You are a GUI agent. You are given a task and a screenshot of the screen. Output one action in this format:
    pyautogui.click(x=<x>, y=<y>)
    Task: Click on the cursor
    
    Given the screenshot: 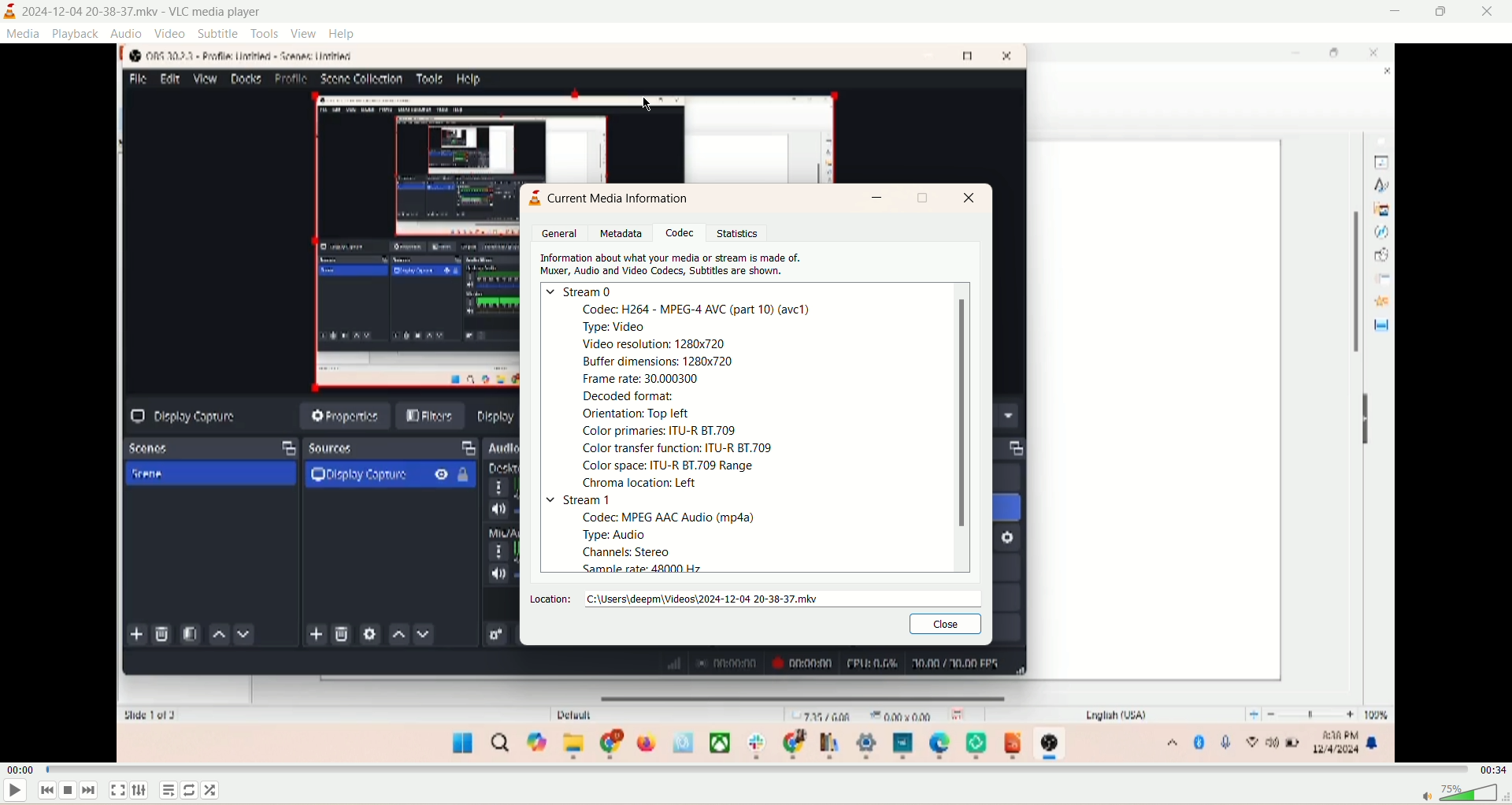 What is the action you would take?
    pyautogui.click(x=647, y=104)
    